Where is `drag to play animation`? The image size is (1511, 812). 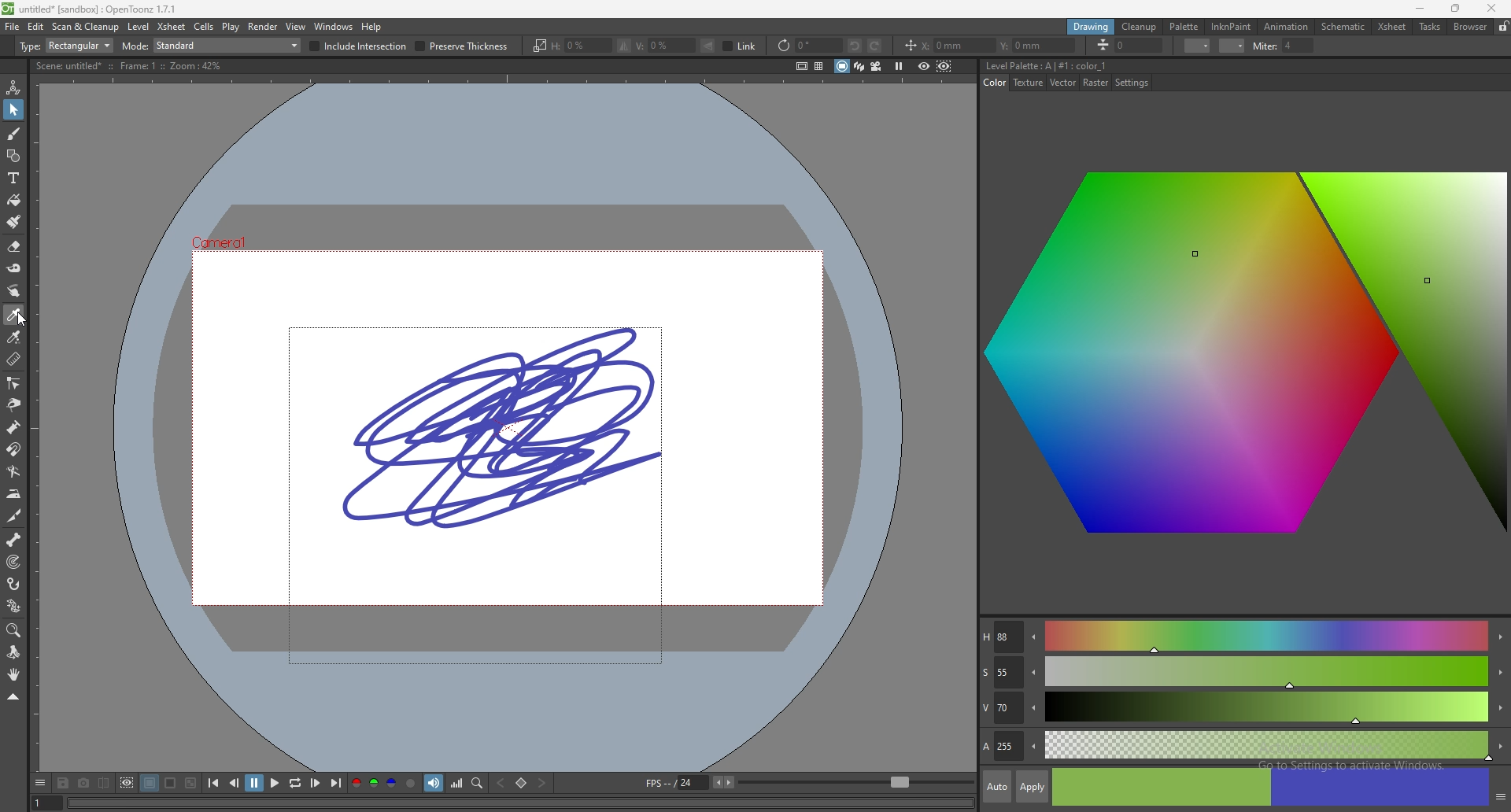 drag to play animation is located at coordinates (523, 803).